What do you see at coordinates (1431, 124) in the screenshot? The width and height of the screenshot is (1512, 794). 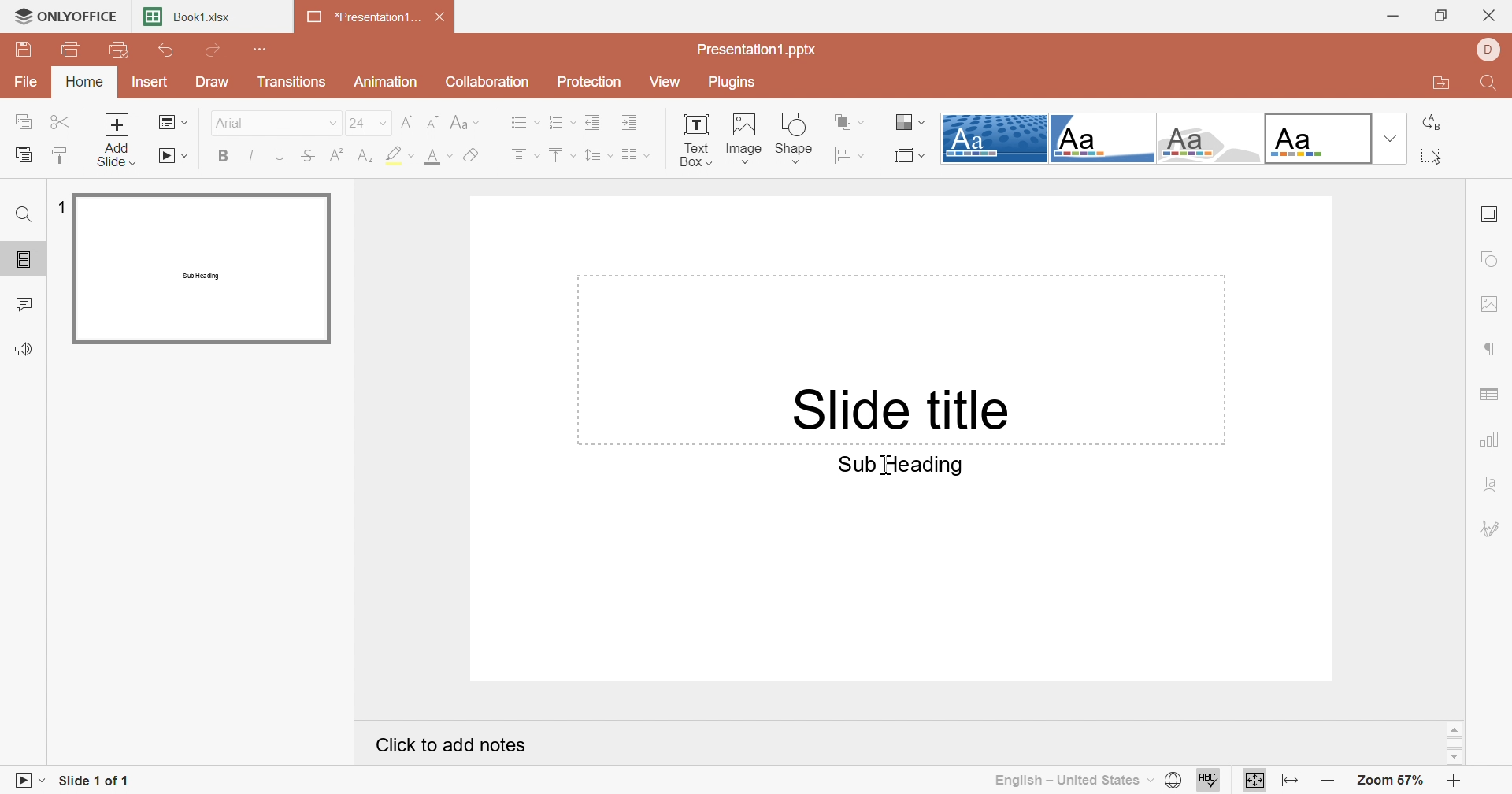 I see `Replace` at bounding box center [1431, 124].